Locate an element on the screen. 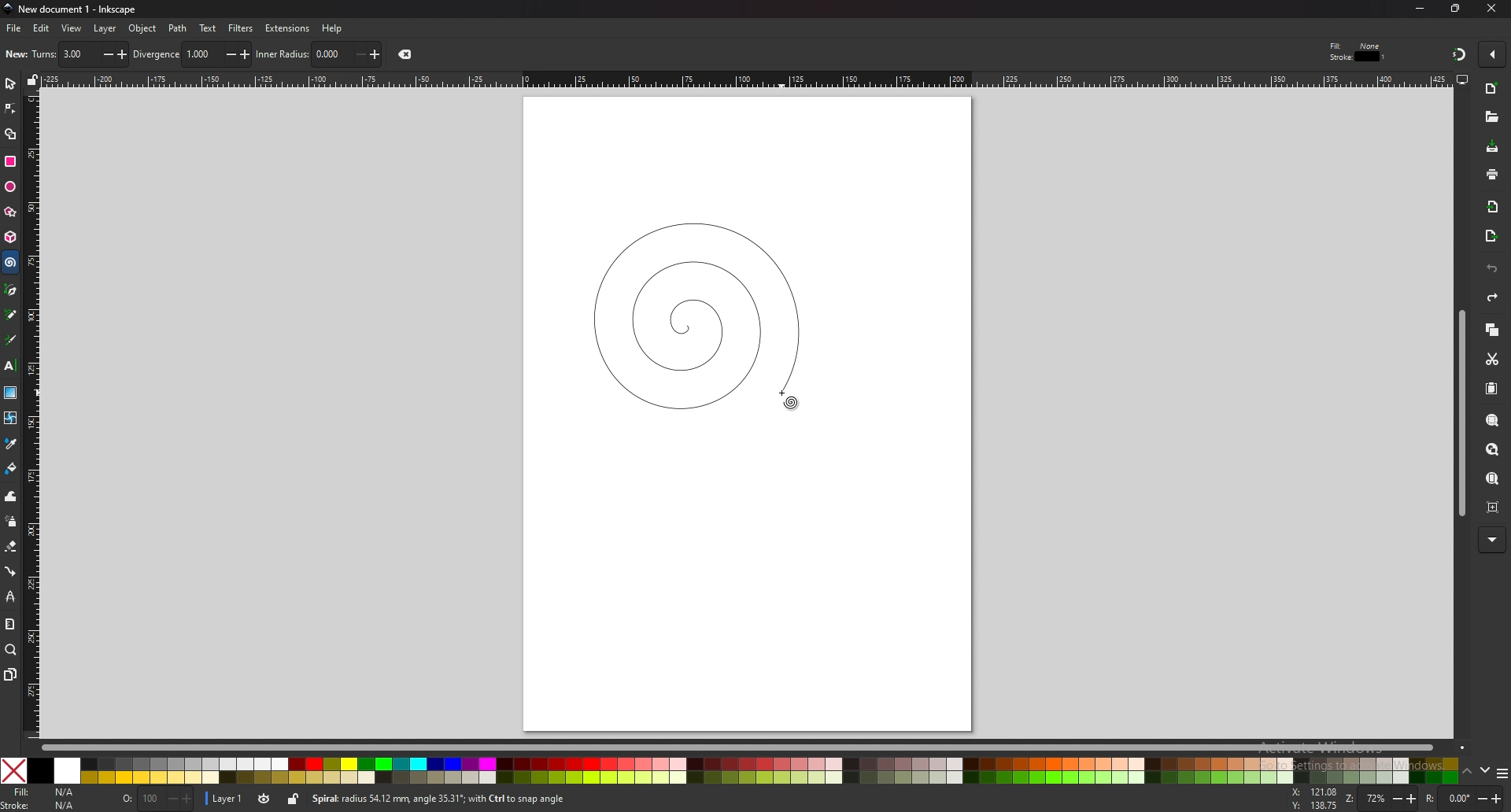 This screenshot has height=812, width=1511. inner radius: 0.000 is located at coordinates (319, 54).